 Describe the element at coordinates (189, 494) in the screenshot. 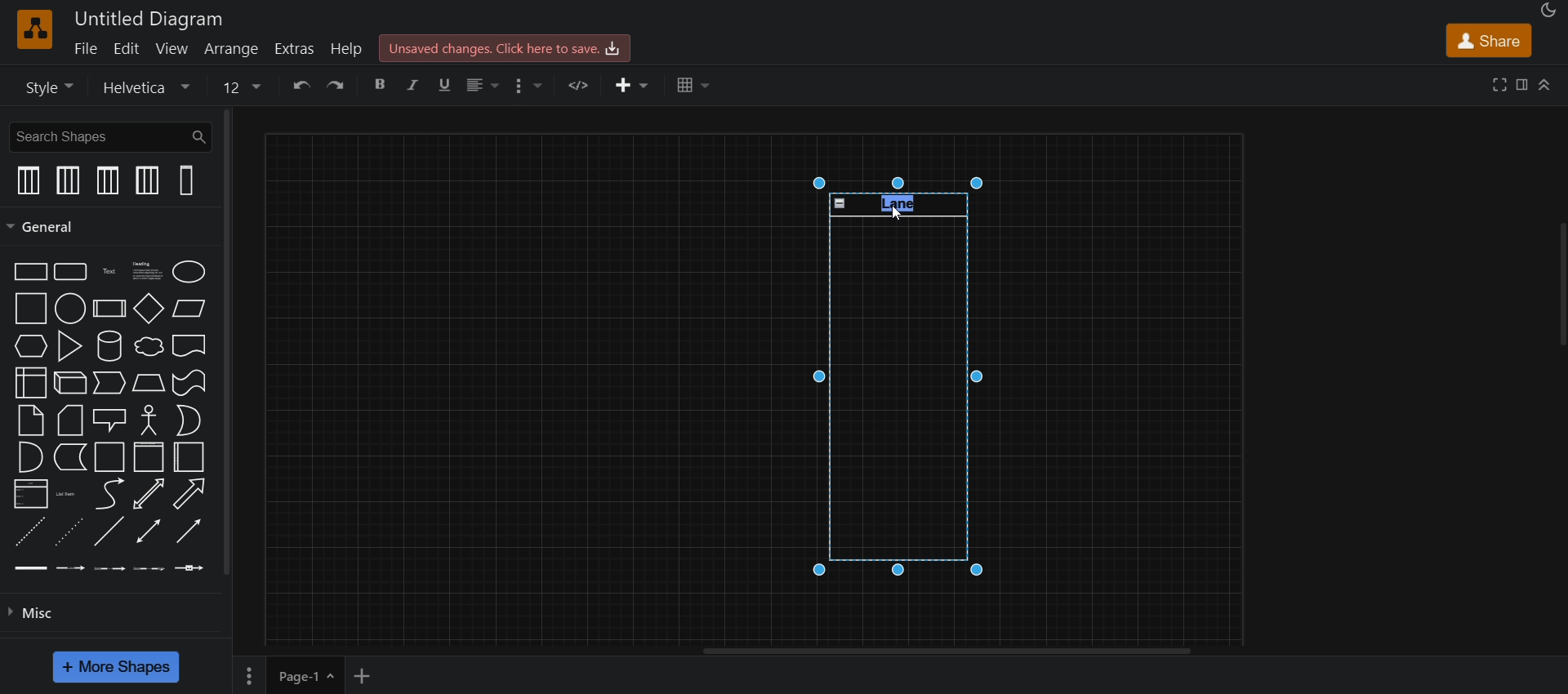

I see `arrow` at that location.